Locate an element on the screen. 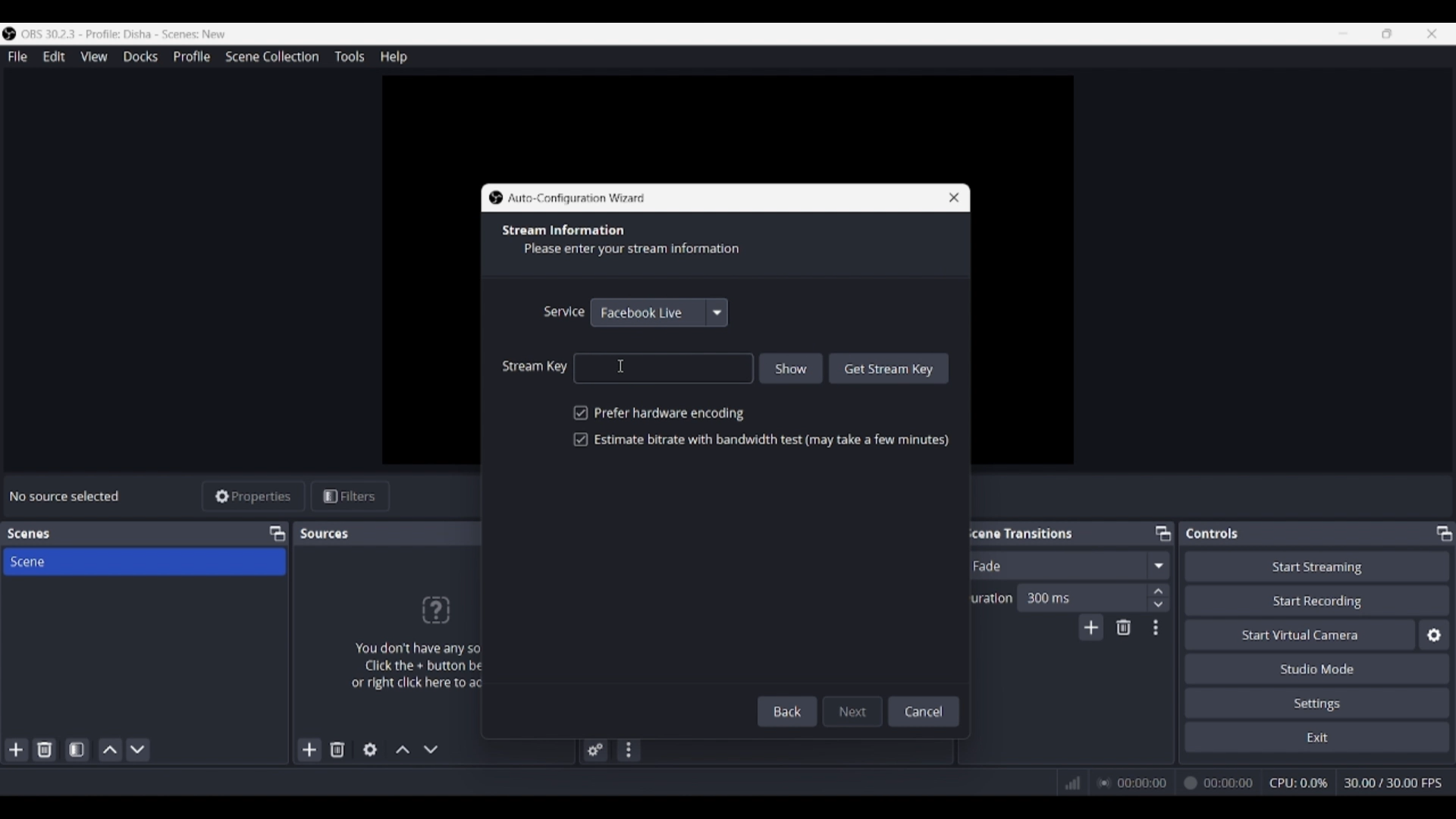  Studio mode is located at coordinates (1317, 668).